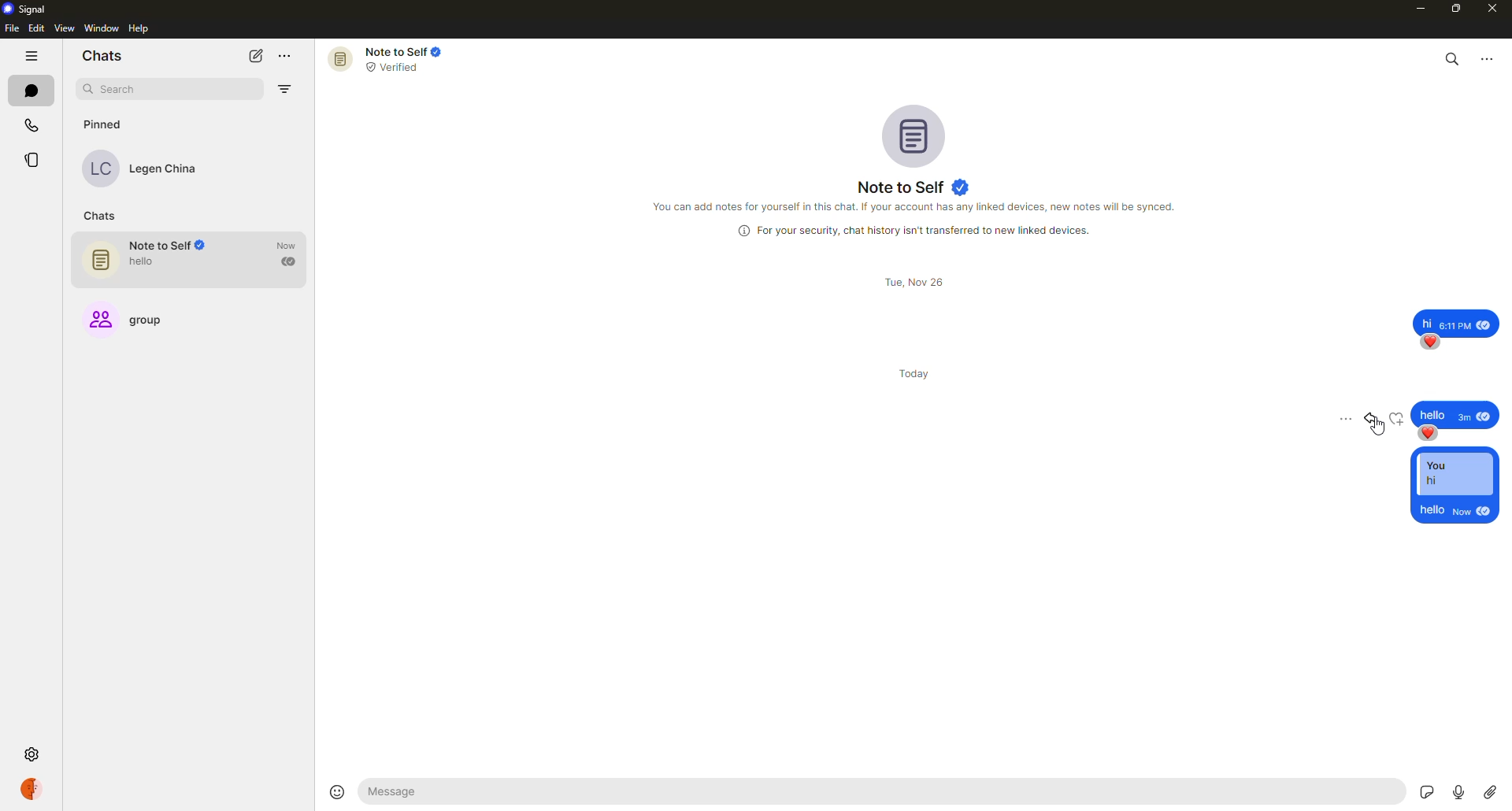  Describe the element at coordinates (913, 283) in the screenshot. I see `day` at that location.